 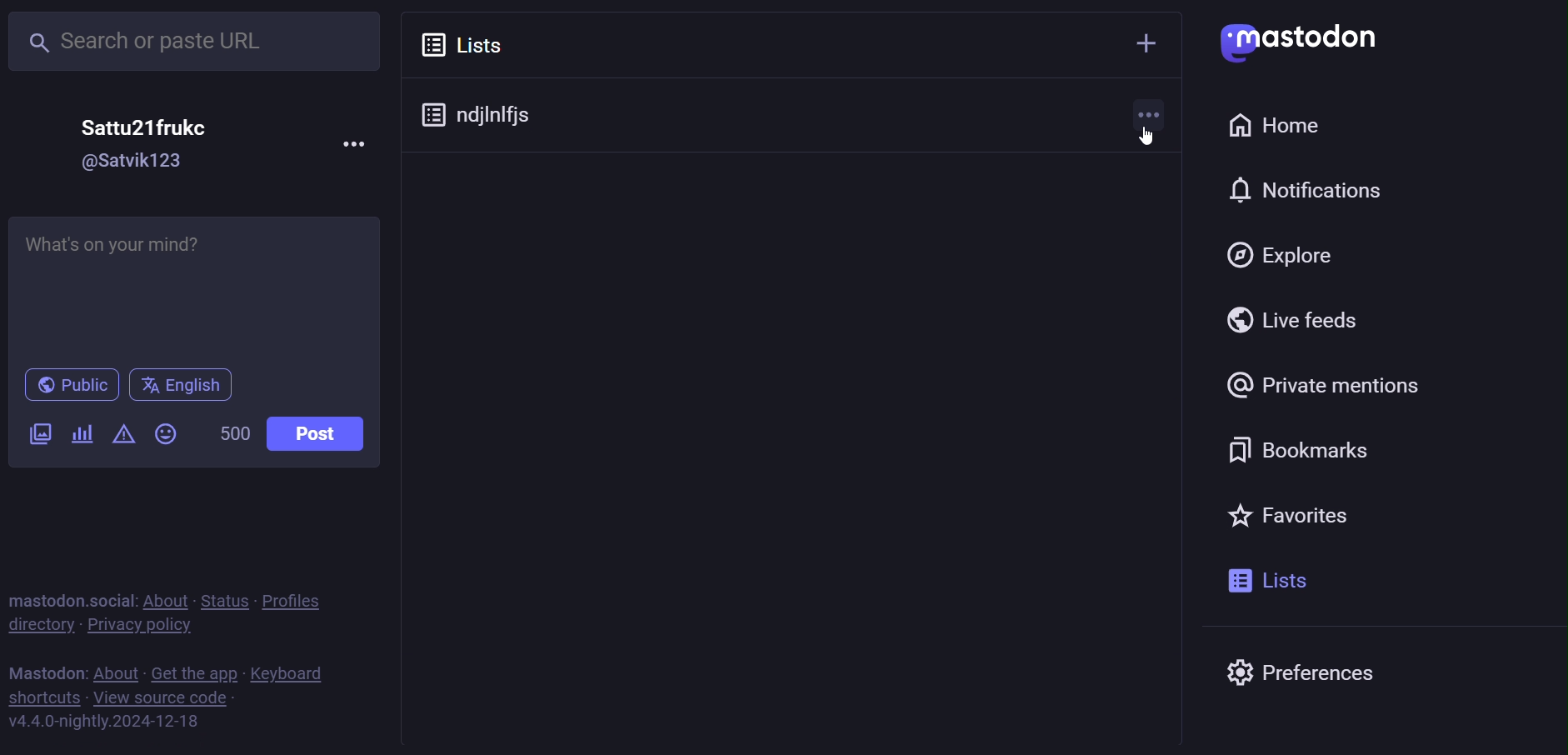 What do you see at coordinates (327, 433) in the screenshot?
I see `post` at bounding box center [327, 433].